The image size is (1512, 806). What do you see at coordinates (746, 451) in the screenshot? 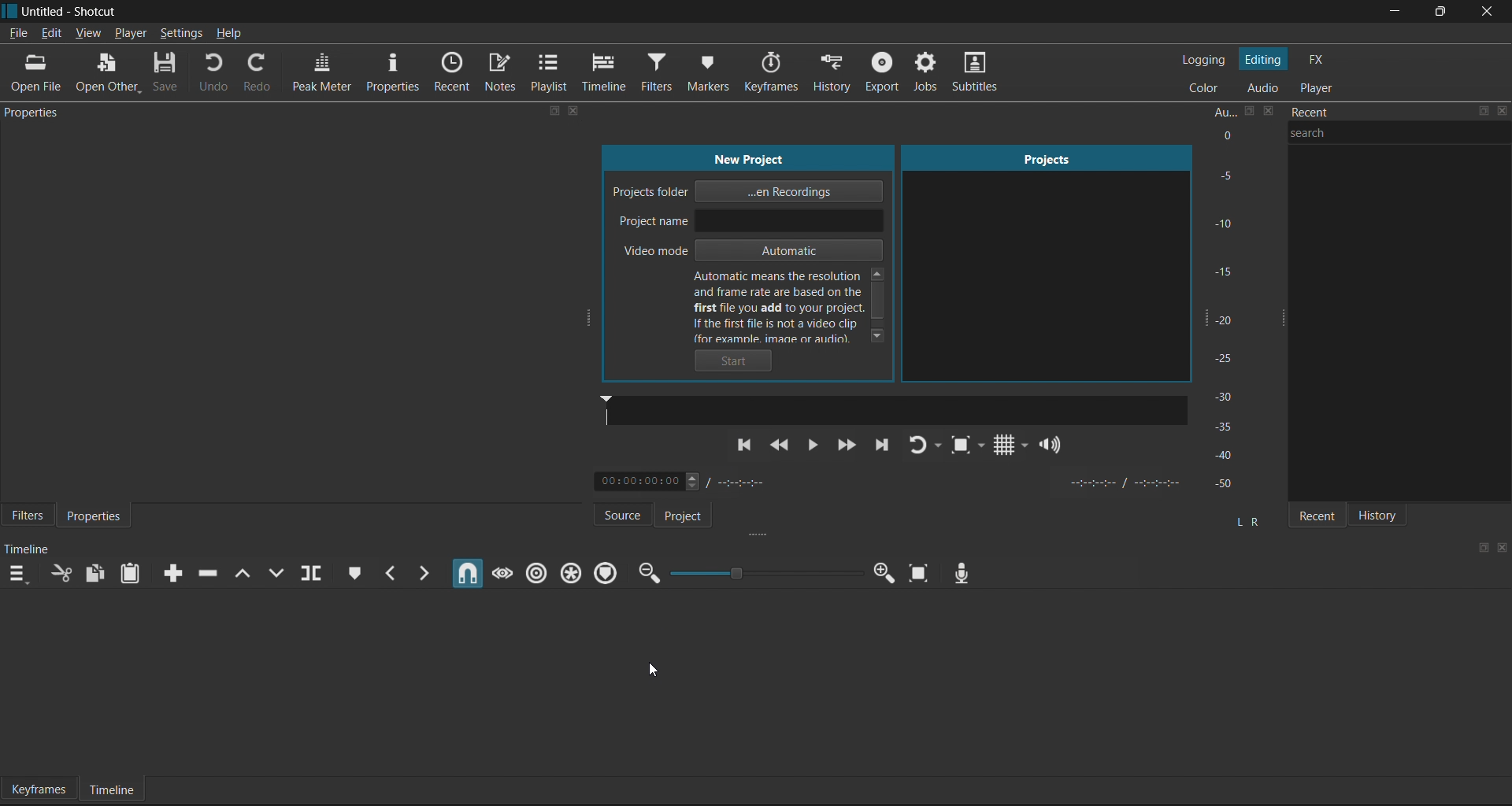
I see `Previous` at bounding box center [746, 451].